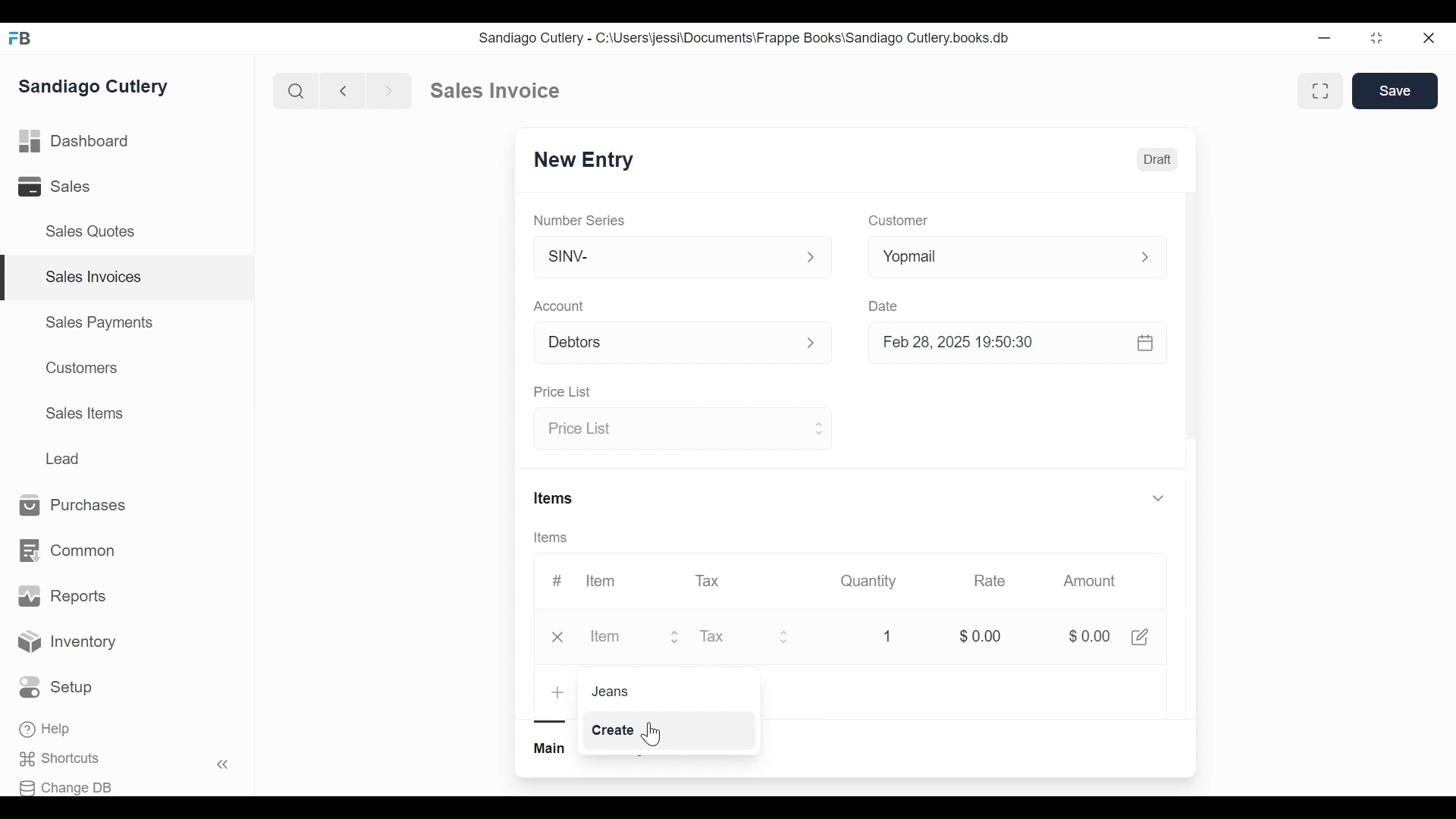 Image resolution: width=1456 pixels, height=819 pixels. I want to click on Number Series, so click(581, 220).